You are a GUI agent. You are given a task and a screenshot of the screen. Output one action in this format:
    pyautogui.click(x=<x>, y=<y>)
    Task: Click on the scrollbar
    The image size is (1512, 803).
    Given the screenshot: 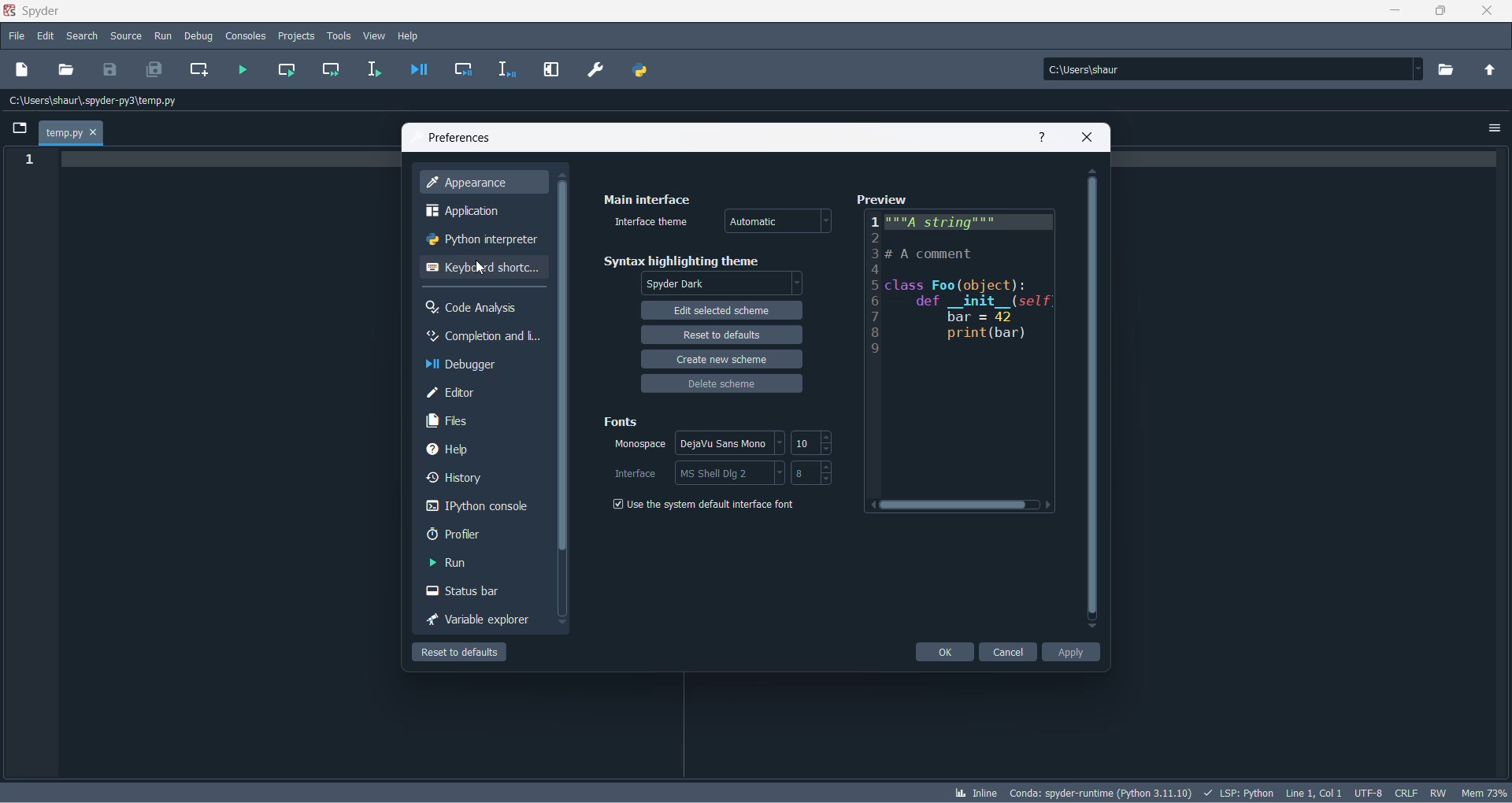 What is the action you would take?
    pyautogui.click(x=1093, y=399)
    